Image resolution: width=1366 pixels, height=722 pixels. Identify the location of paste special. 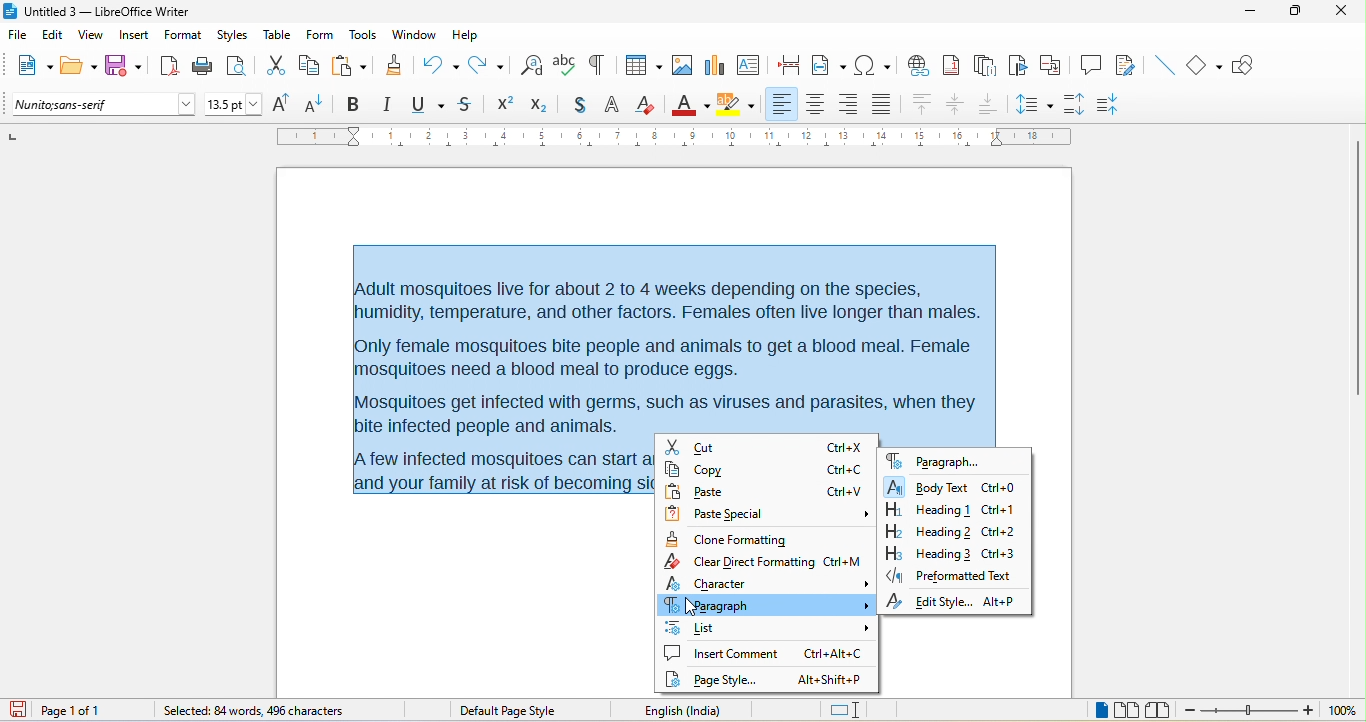
(771, 515).